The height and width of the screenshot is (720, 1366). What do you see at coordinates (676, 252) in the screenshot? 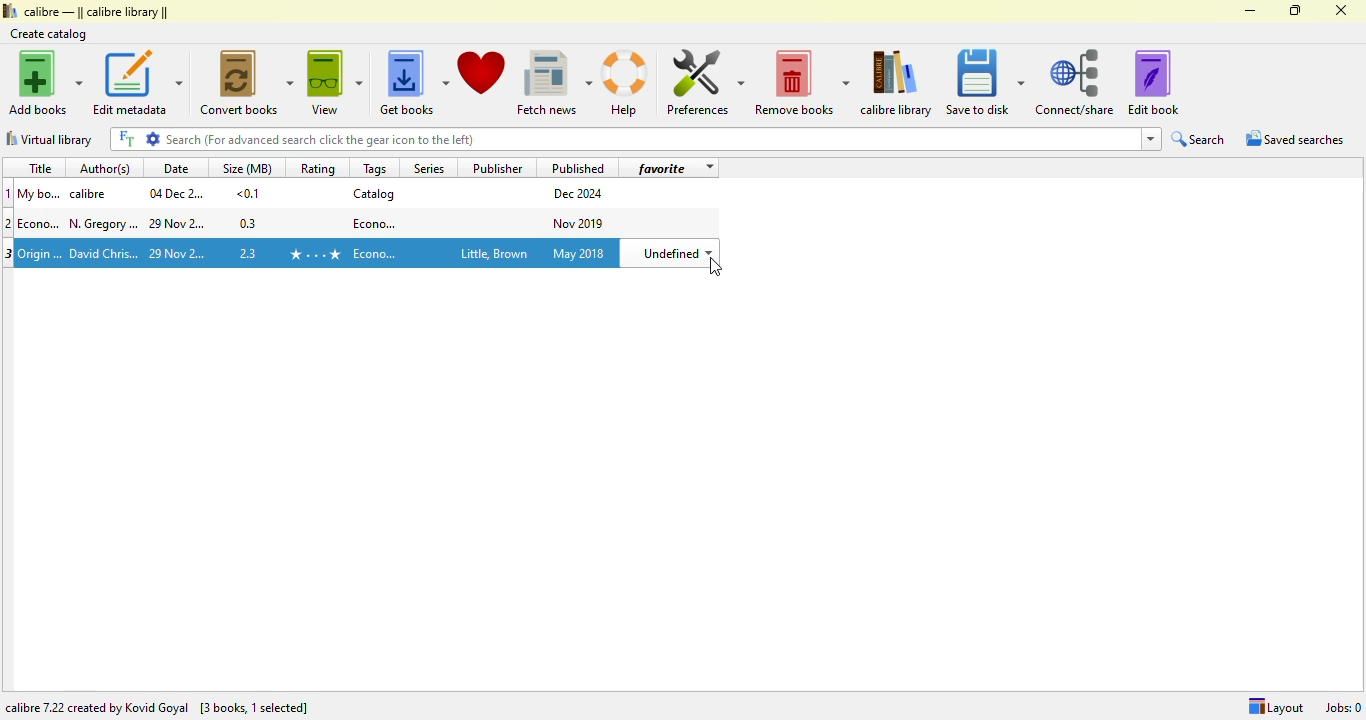
I see `undefined` at bounding box center [676, 252].